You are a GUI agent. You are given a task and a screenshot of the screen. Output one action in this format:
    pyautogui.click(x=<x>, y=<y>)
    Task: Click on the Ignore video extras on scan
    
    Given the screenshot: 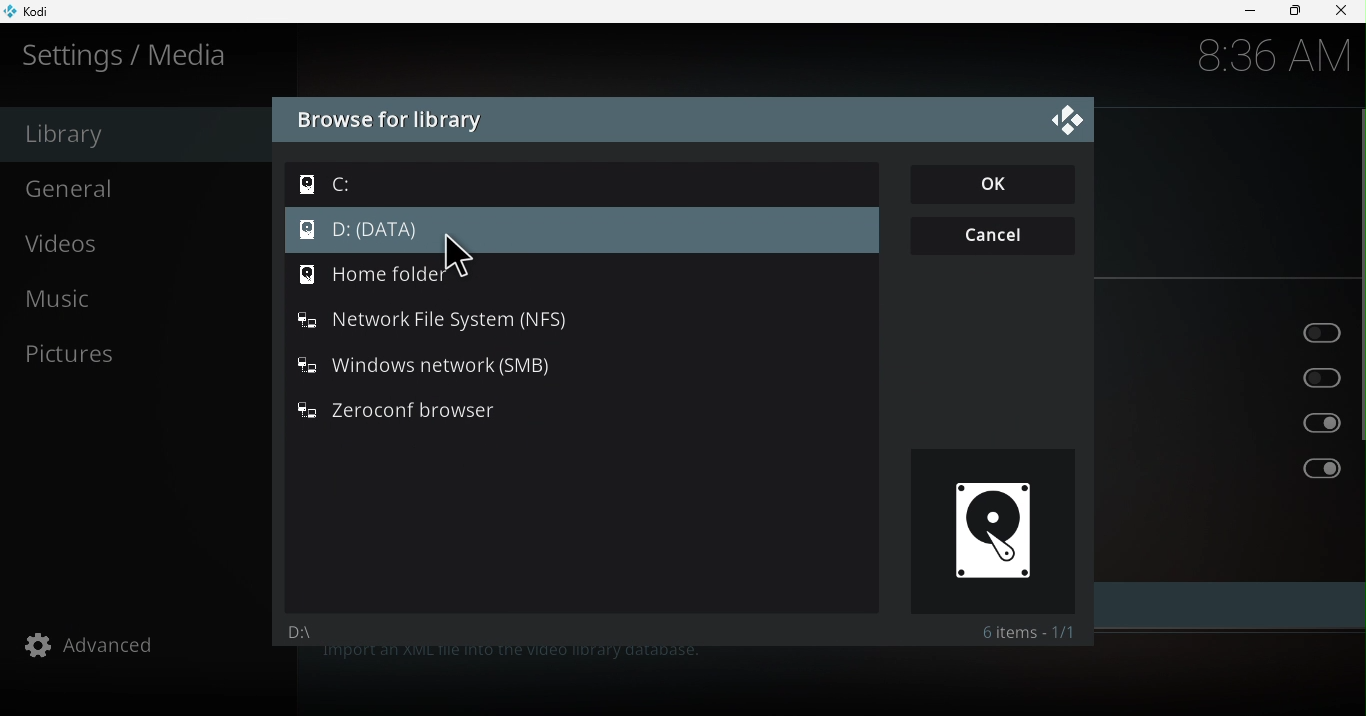 What is the action you would take?
    pyautogui.click(x=1229, y=469)
    